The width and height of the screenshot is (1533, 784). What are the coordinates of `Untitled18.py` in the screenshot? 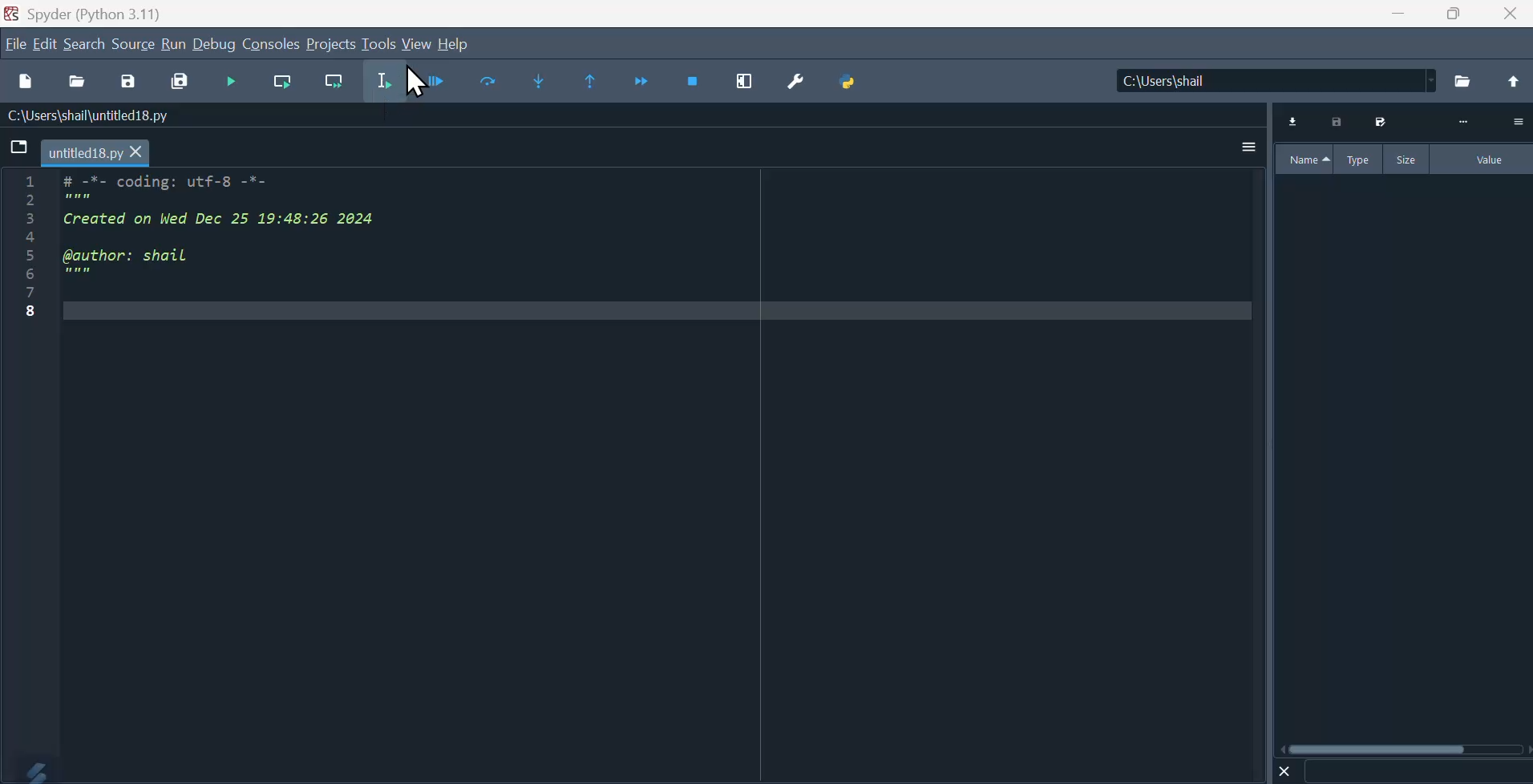 It's located at (96, 154).